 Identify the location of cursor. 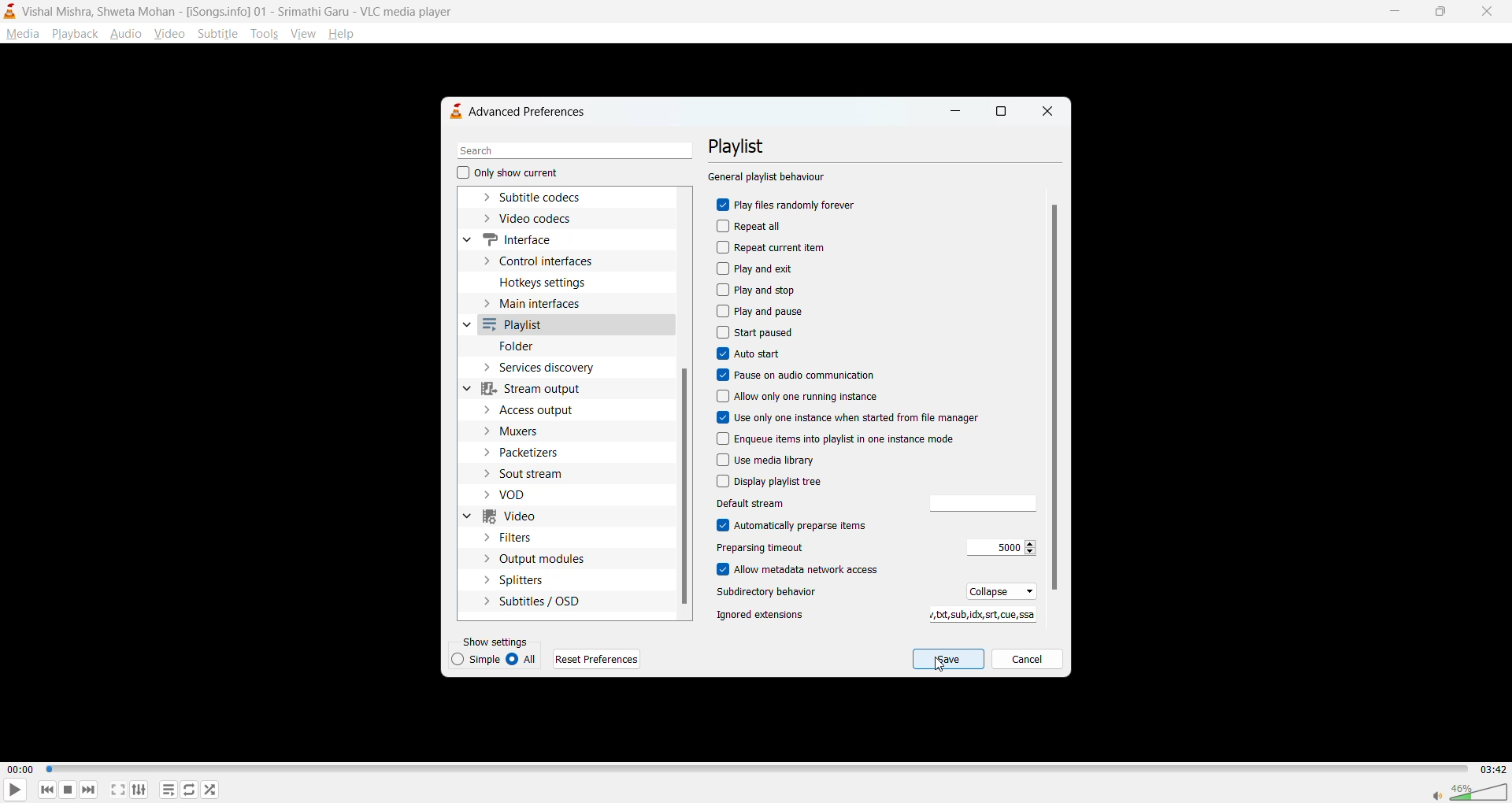
(938, 668).